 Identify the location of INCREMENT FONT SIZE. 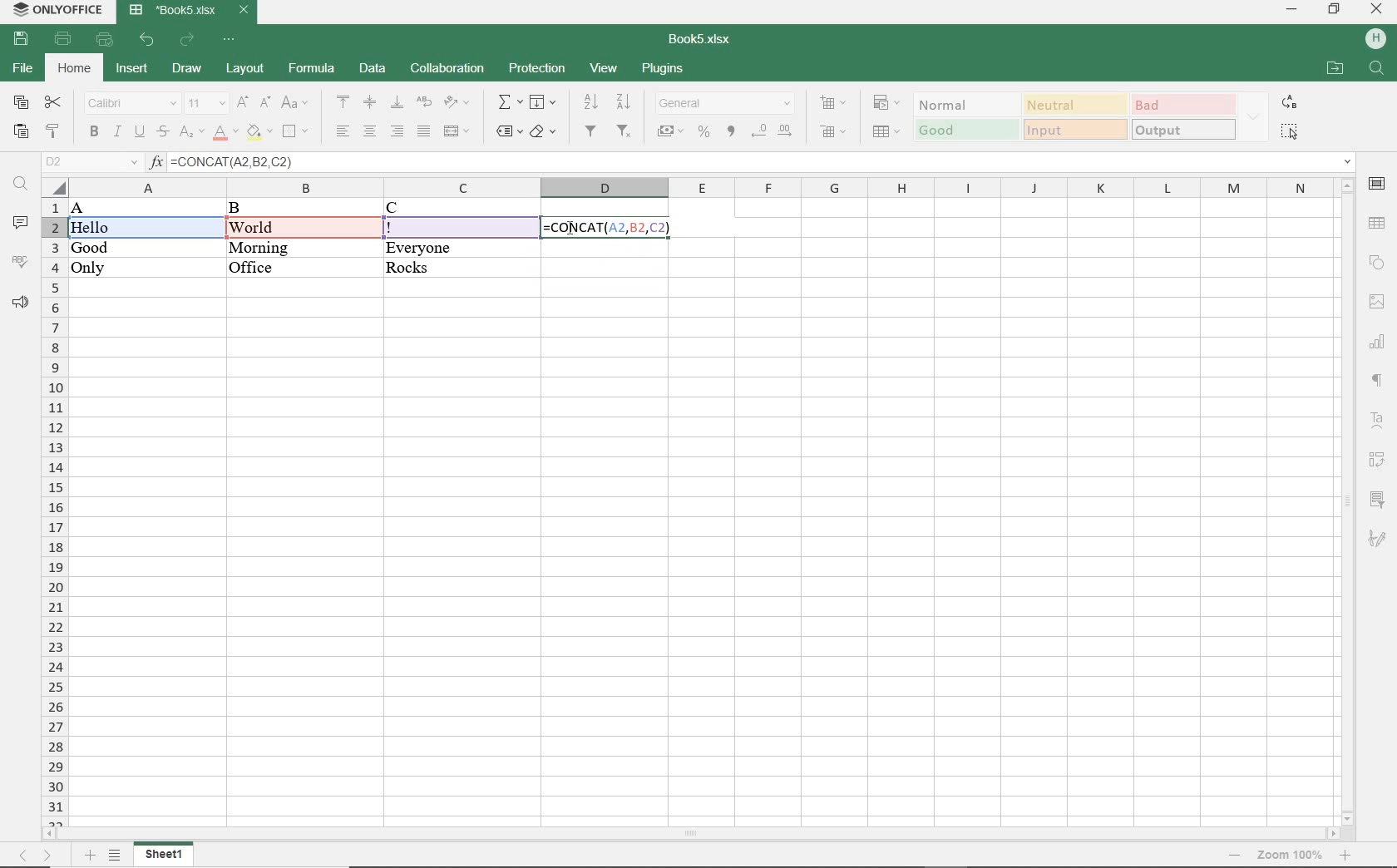
(244, 104).